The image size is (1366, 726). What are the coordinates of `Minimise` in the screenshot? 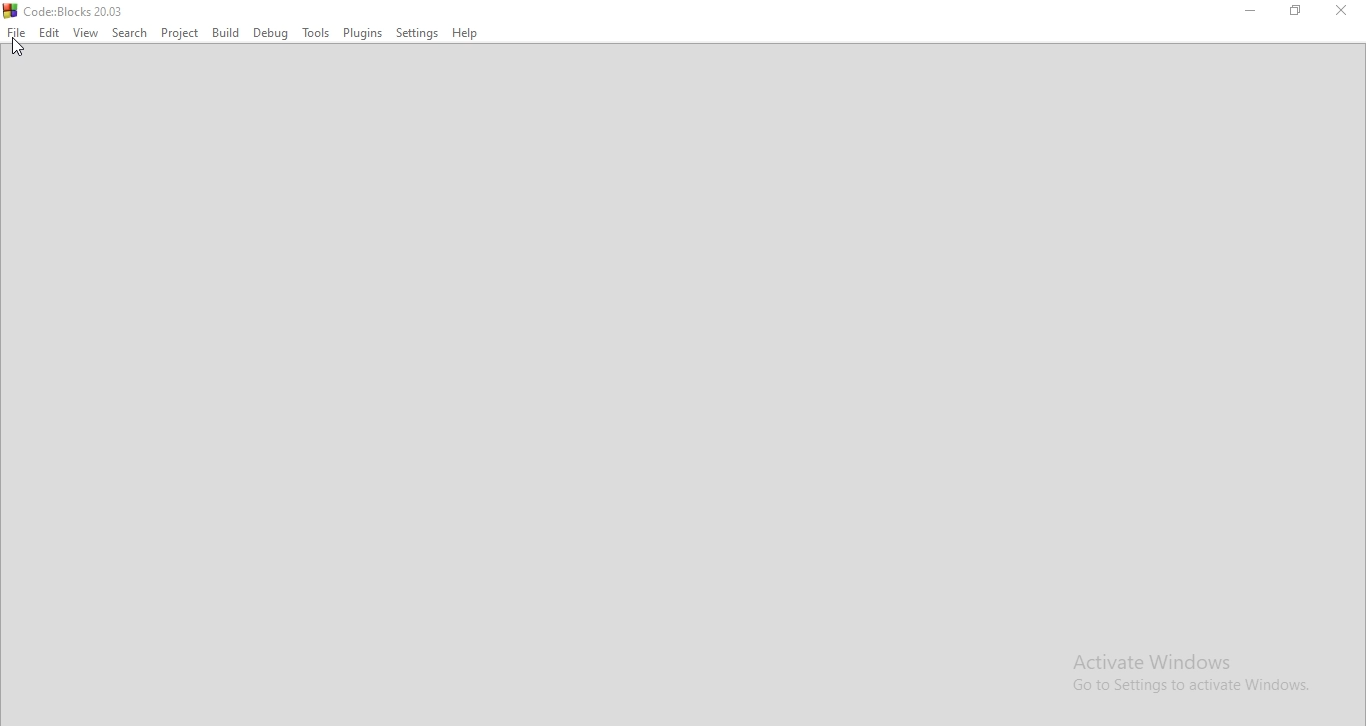 It's located at (1243, 10).